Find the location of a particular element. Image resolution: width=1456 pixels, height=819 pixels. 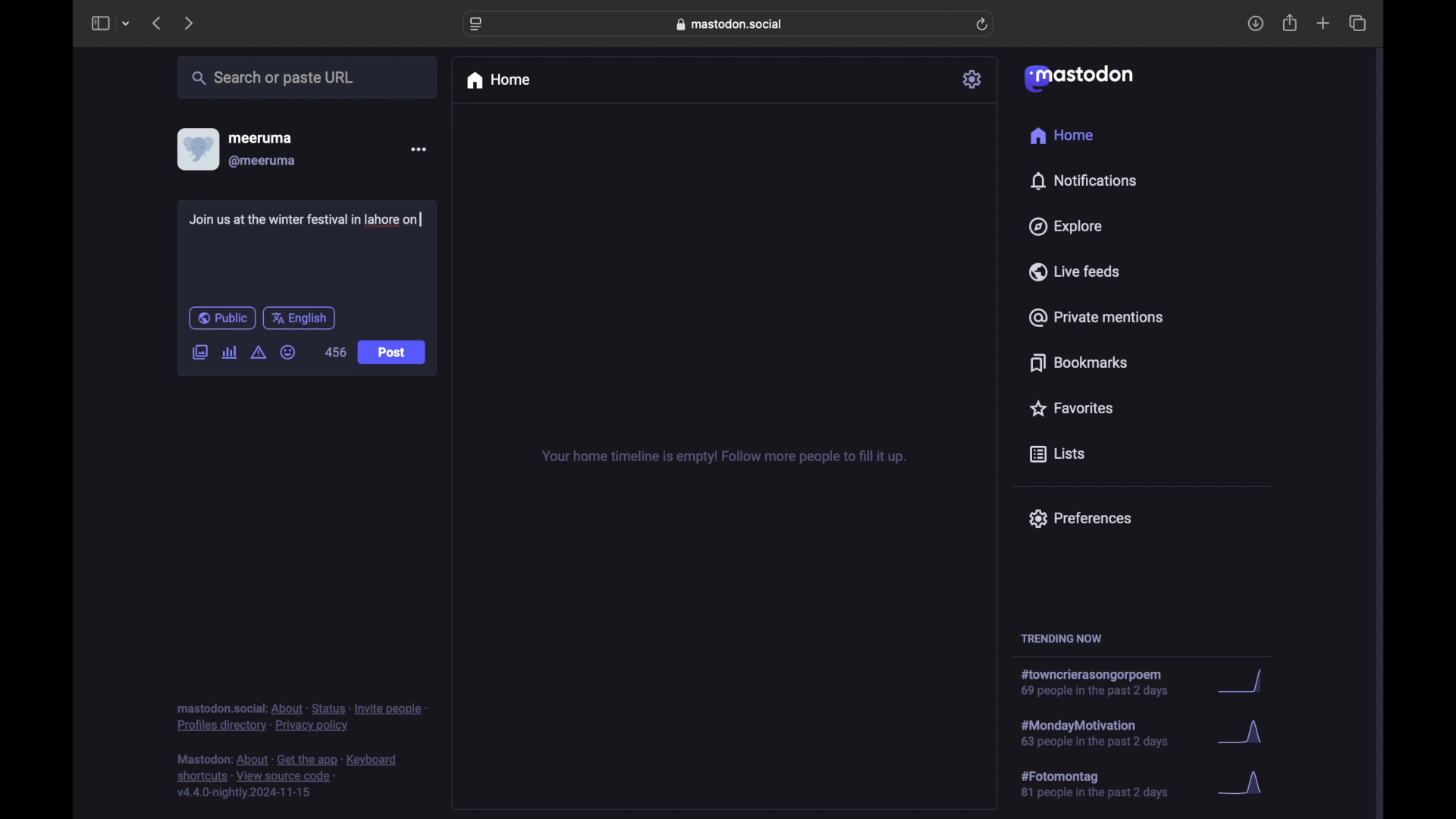

@meeruma is located at coordinates (262, 162).